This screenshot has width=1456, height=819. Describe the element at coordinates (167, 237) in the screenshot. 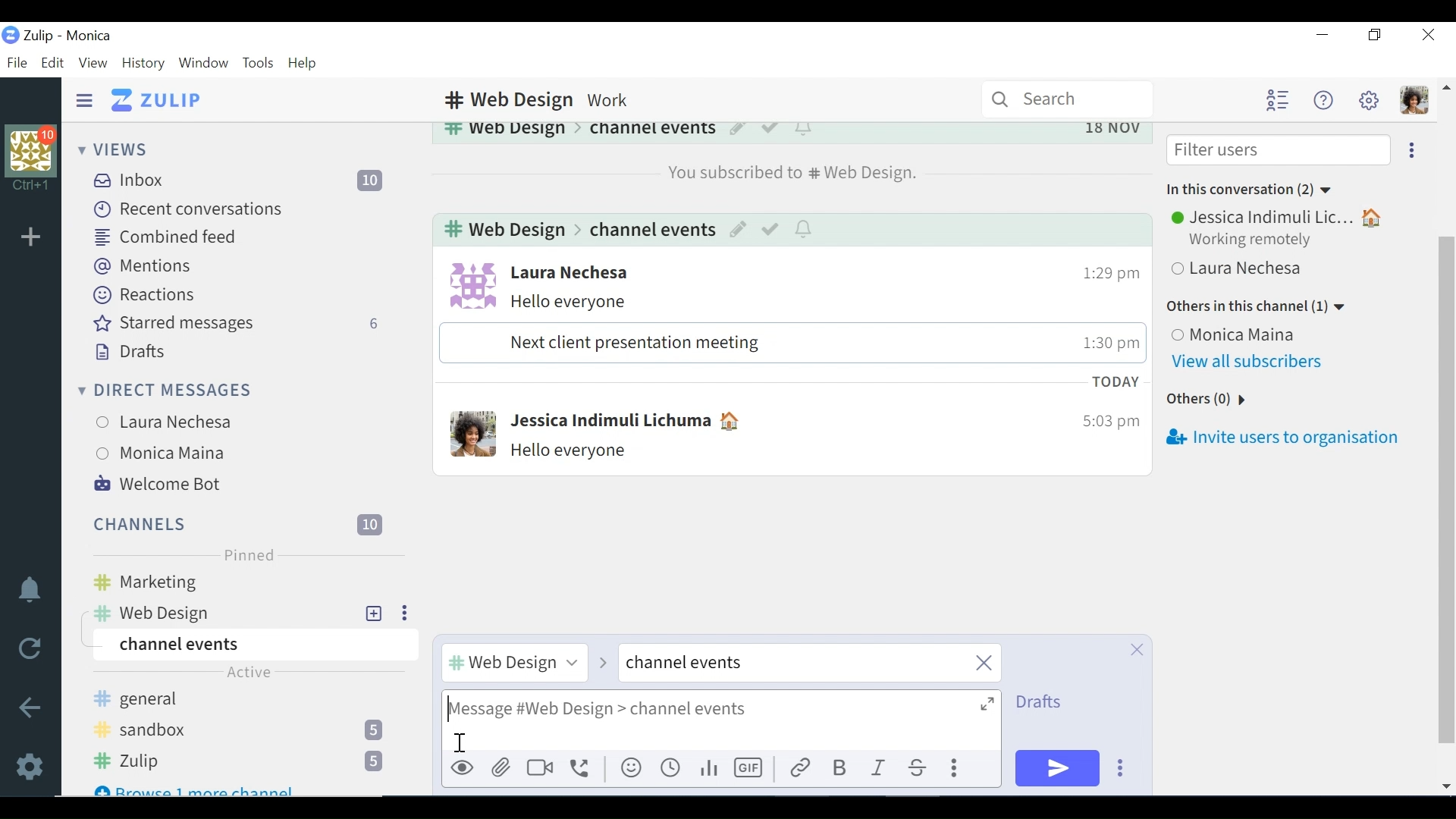

I see `Combined feed` at that location.